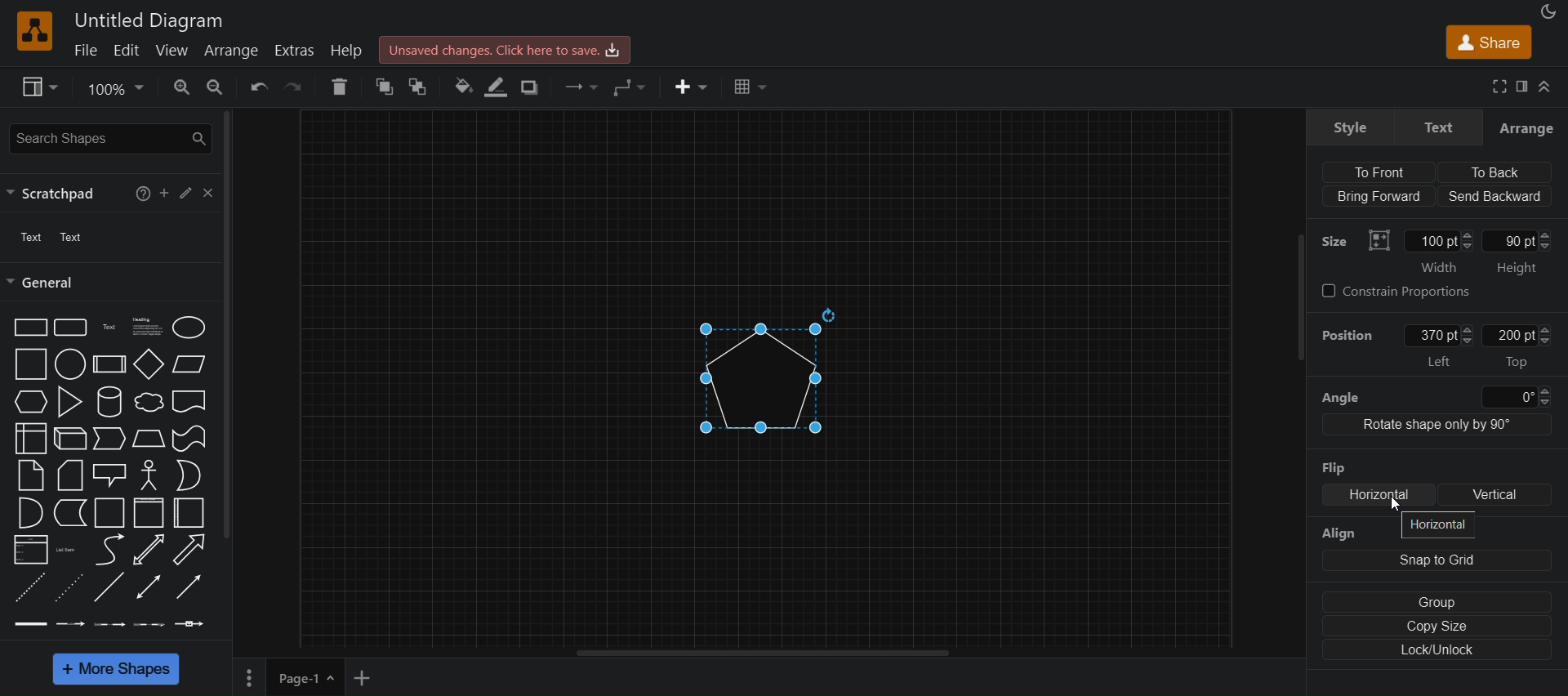 This screenshot has height=696, width=1568. I want to click on constrain proportions, so click(1396, 292).